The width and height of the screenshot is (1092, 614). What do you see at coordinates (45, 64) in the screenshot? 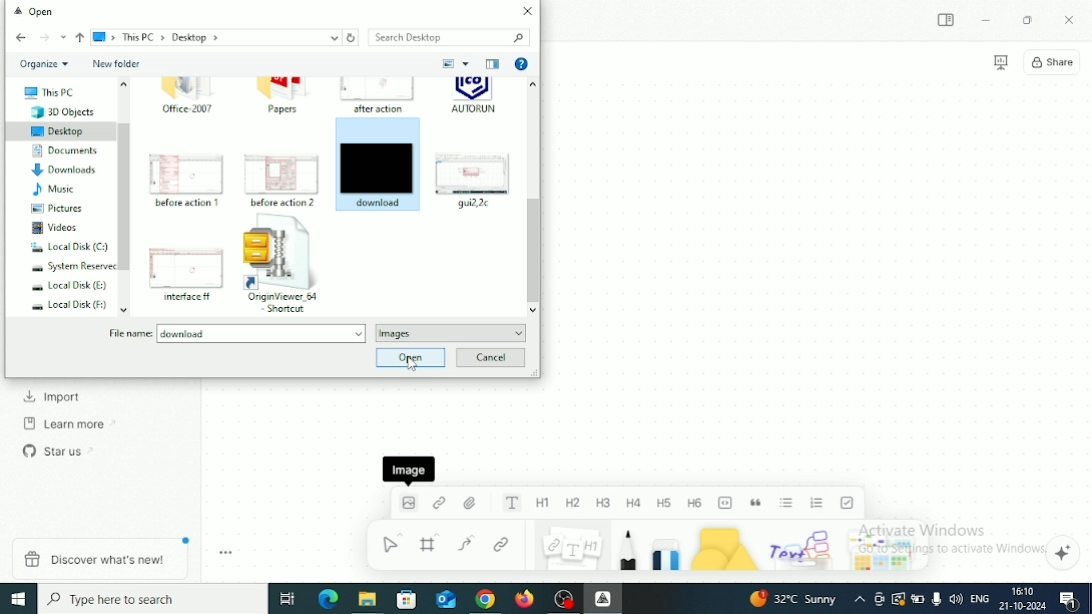
I see `Organize` at bounding box center [45, 64].